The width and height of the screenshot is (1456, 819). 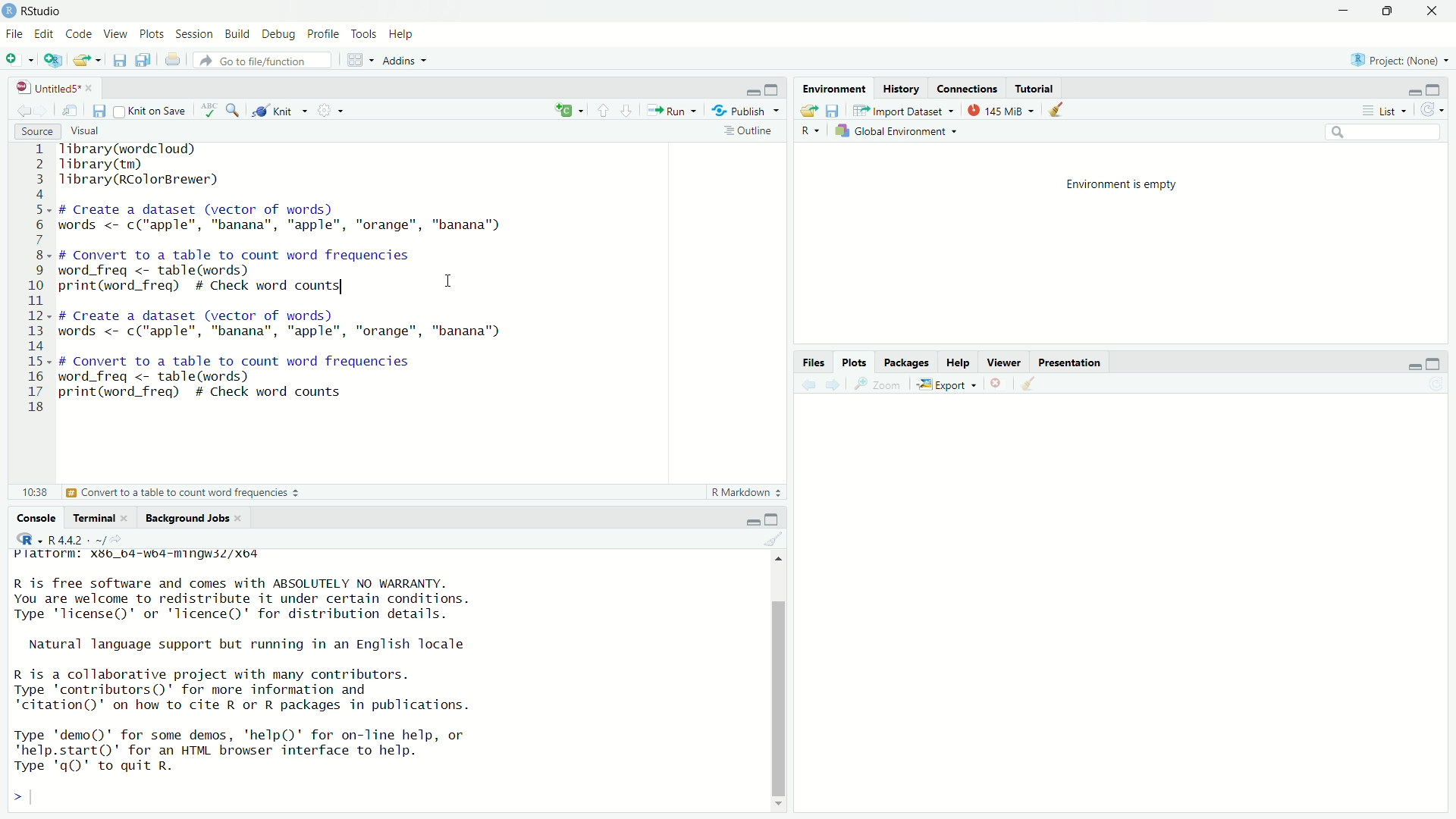 What do you see at coordinates (1428, 14) in the screenshot?
I see `Close` at bounding box center [1428, 14].